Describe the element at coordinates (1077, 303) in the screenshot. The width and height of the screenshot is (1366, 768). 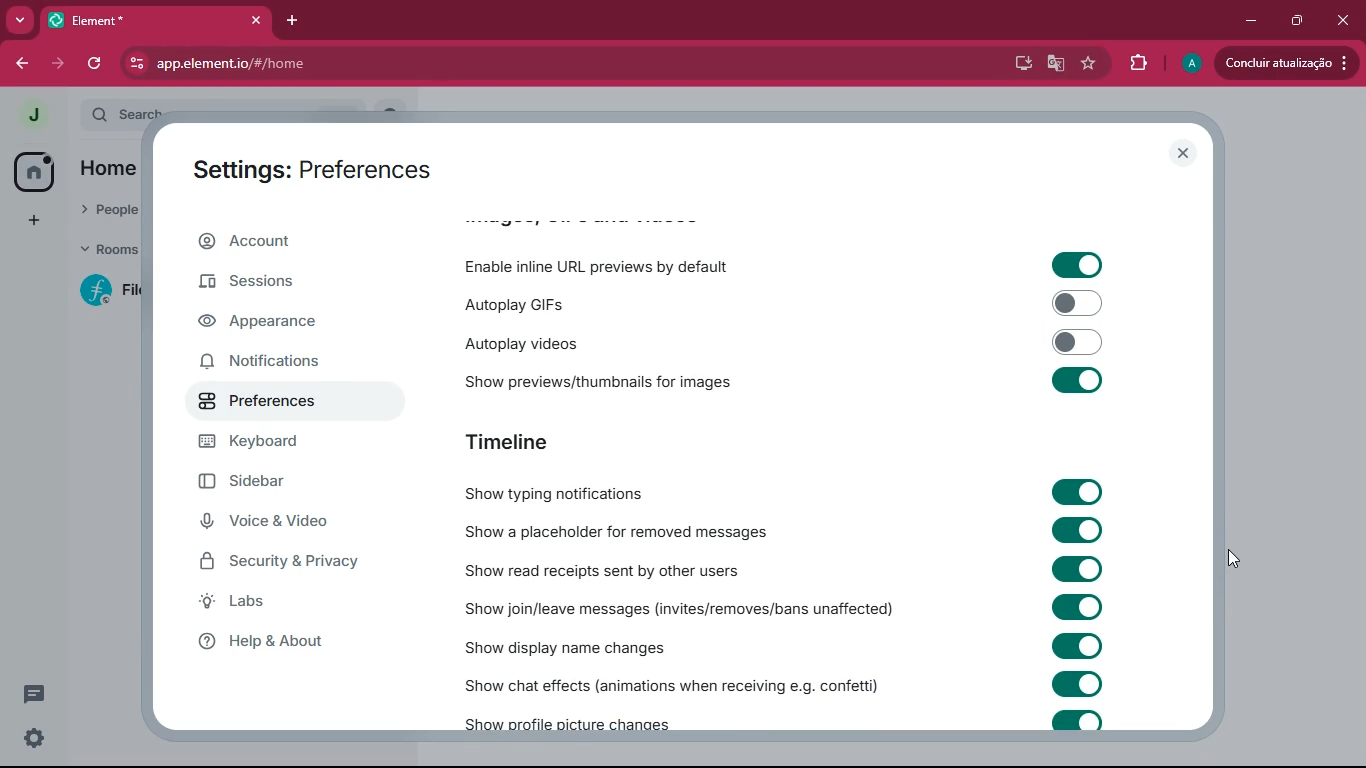
I see `toggle on/off` at that location.